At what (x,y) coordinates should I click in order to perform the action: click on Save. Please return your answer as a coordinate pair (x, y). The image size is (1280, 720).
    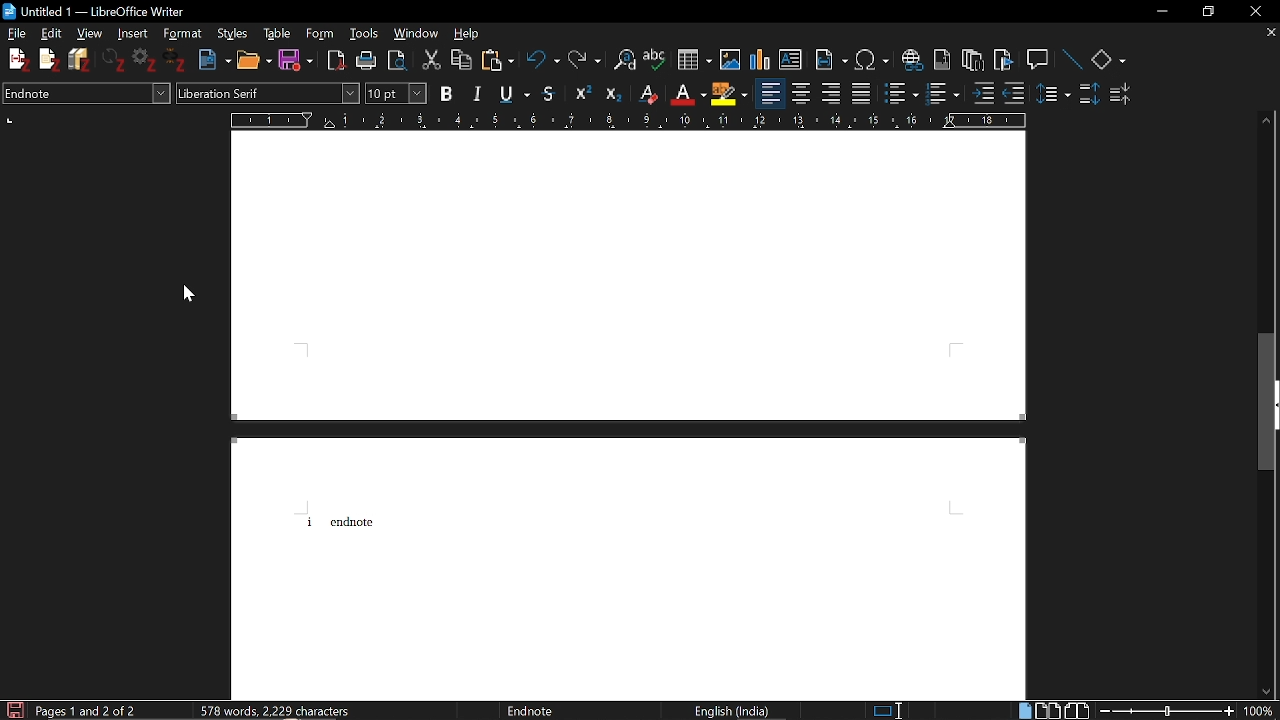
    Looking at the image, I should click on (294, 61).